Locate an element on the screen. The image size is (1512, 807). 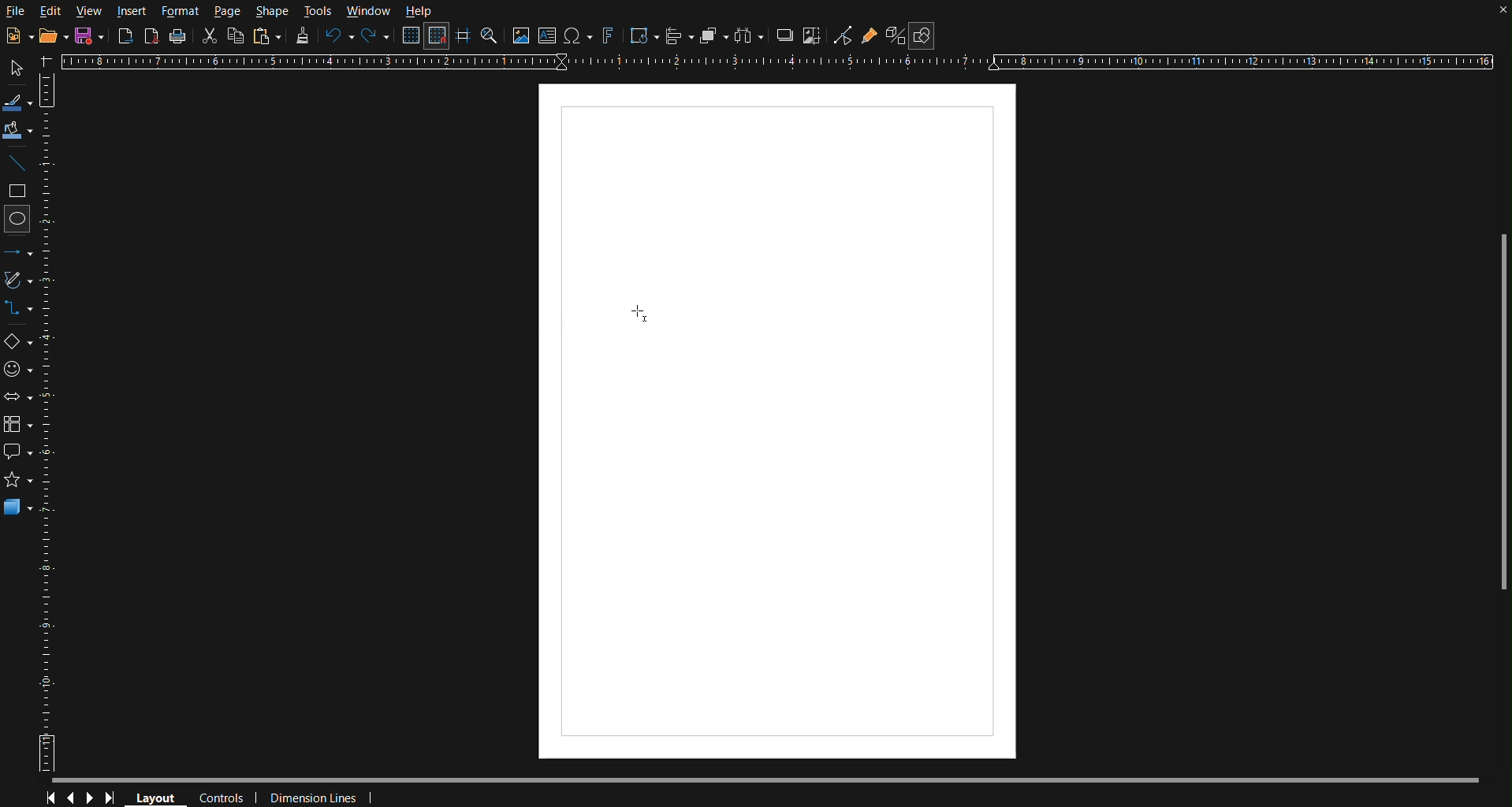
Box Arrows is located at coordinates (18, 402).